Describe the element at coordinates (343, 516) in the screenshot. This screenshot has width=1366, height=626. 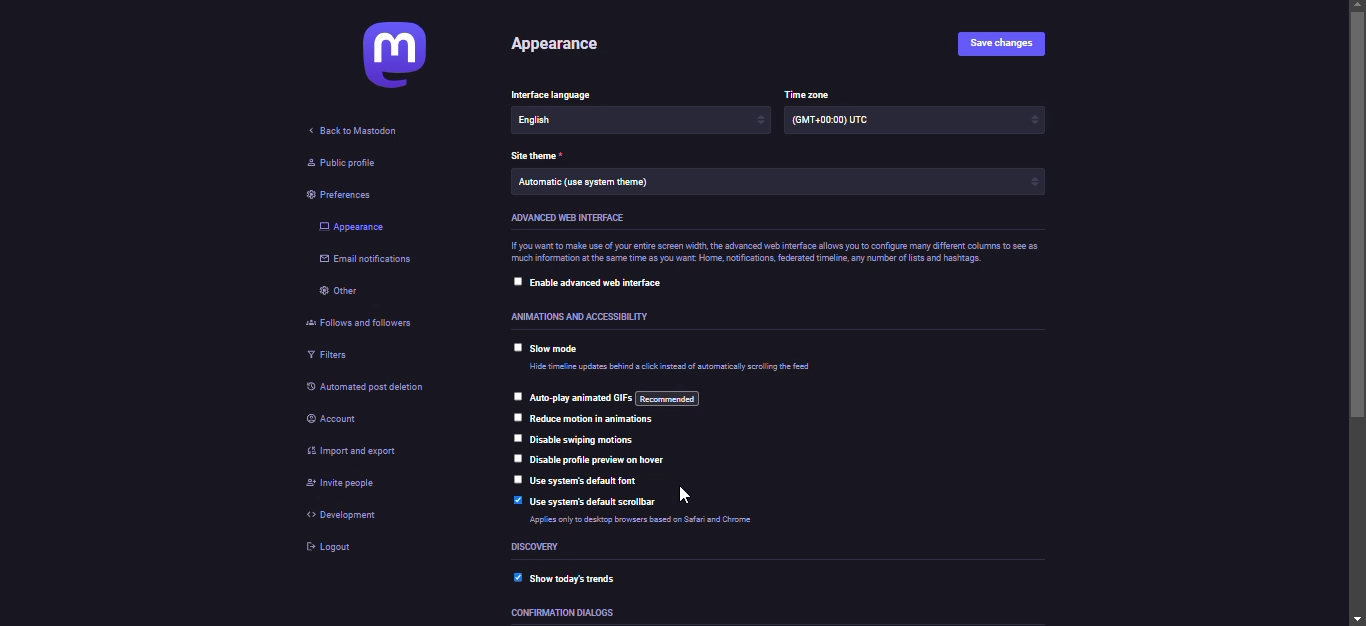
I see `development` at that location.